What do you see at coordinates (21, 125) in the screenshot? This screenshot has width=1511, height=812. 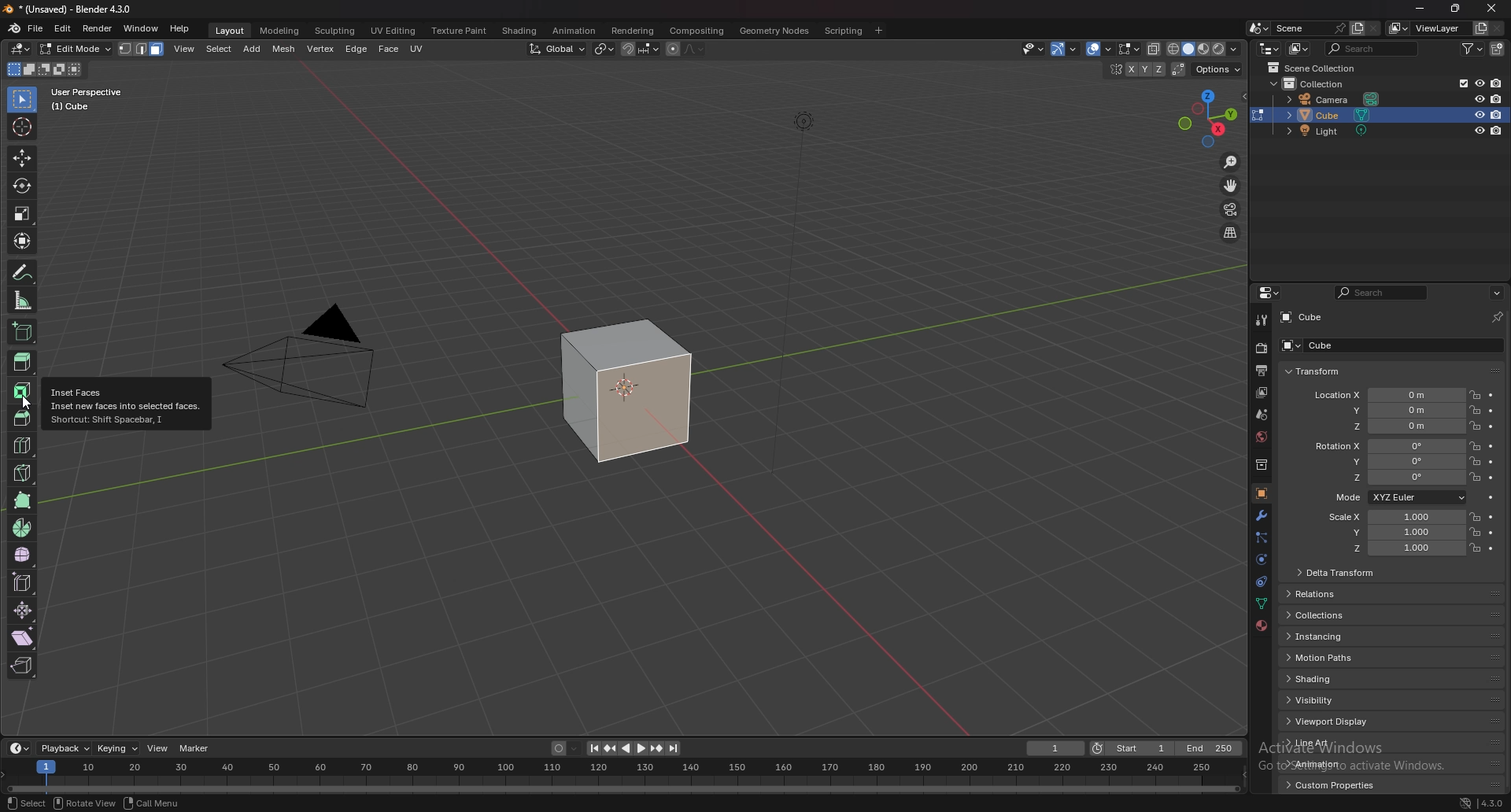 I see `cursor` at bounding box center [21, 125].